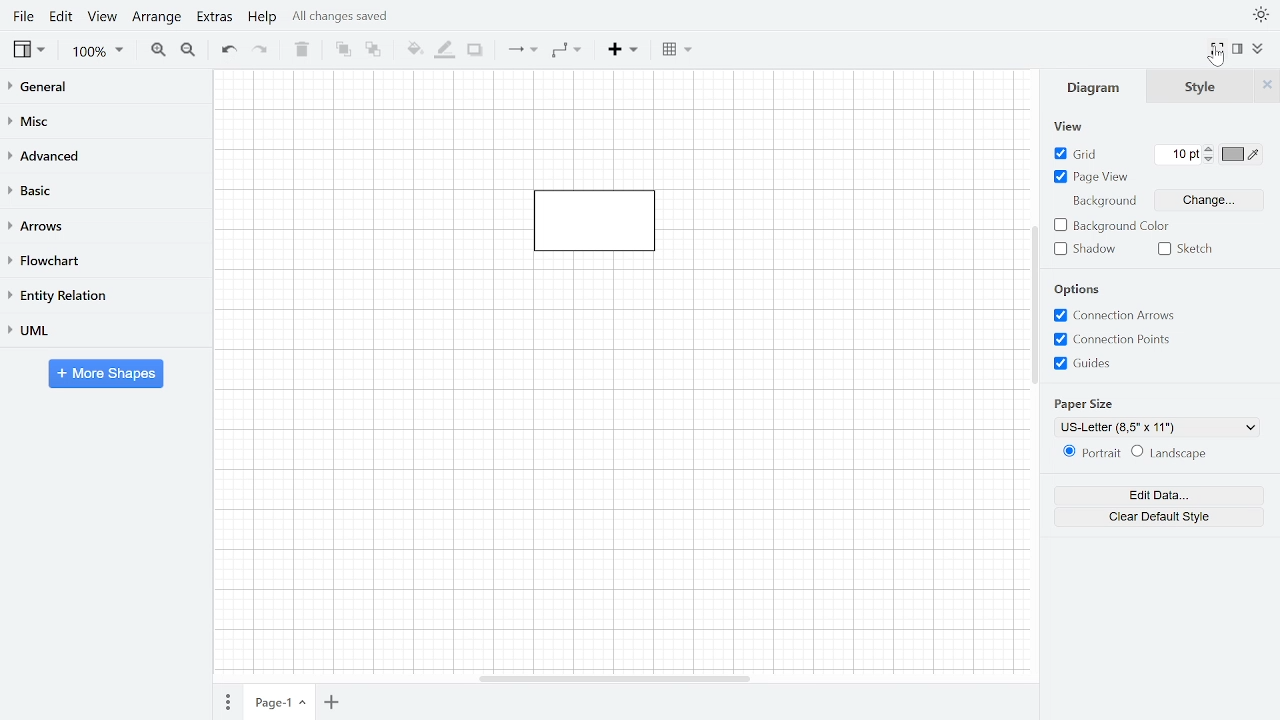  What do you see at coordinates (103, 88) in the screenshot?
I see `General` at bounding box center [103, 88].